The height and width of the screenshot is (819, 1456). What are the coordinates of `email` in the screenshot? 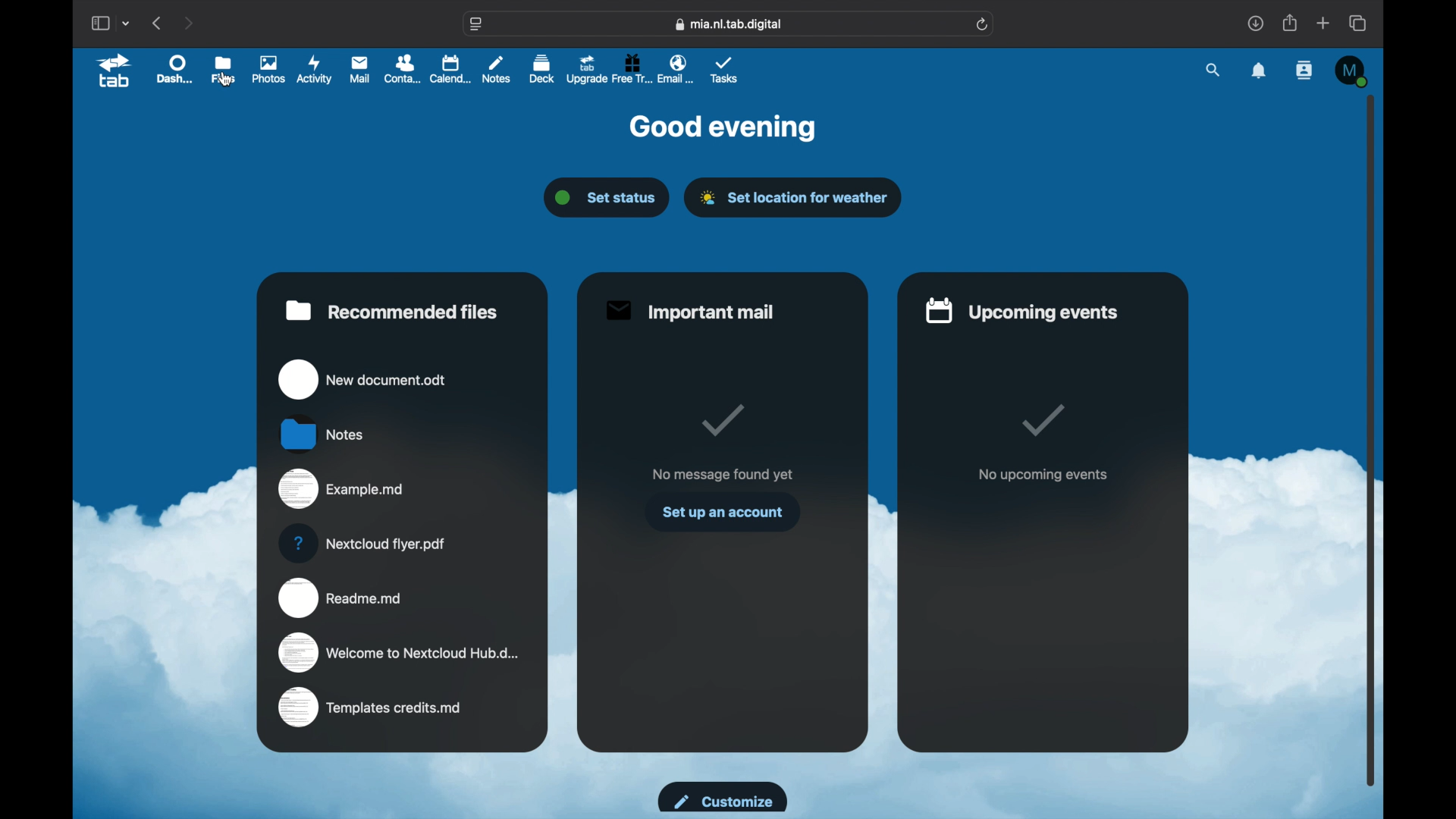 It's located at (677, 68).